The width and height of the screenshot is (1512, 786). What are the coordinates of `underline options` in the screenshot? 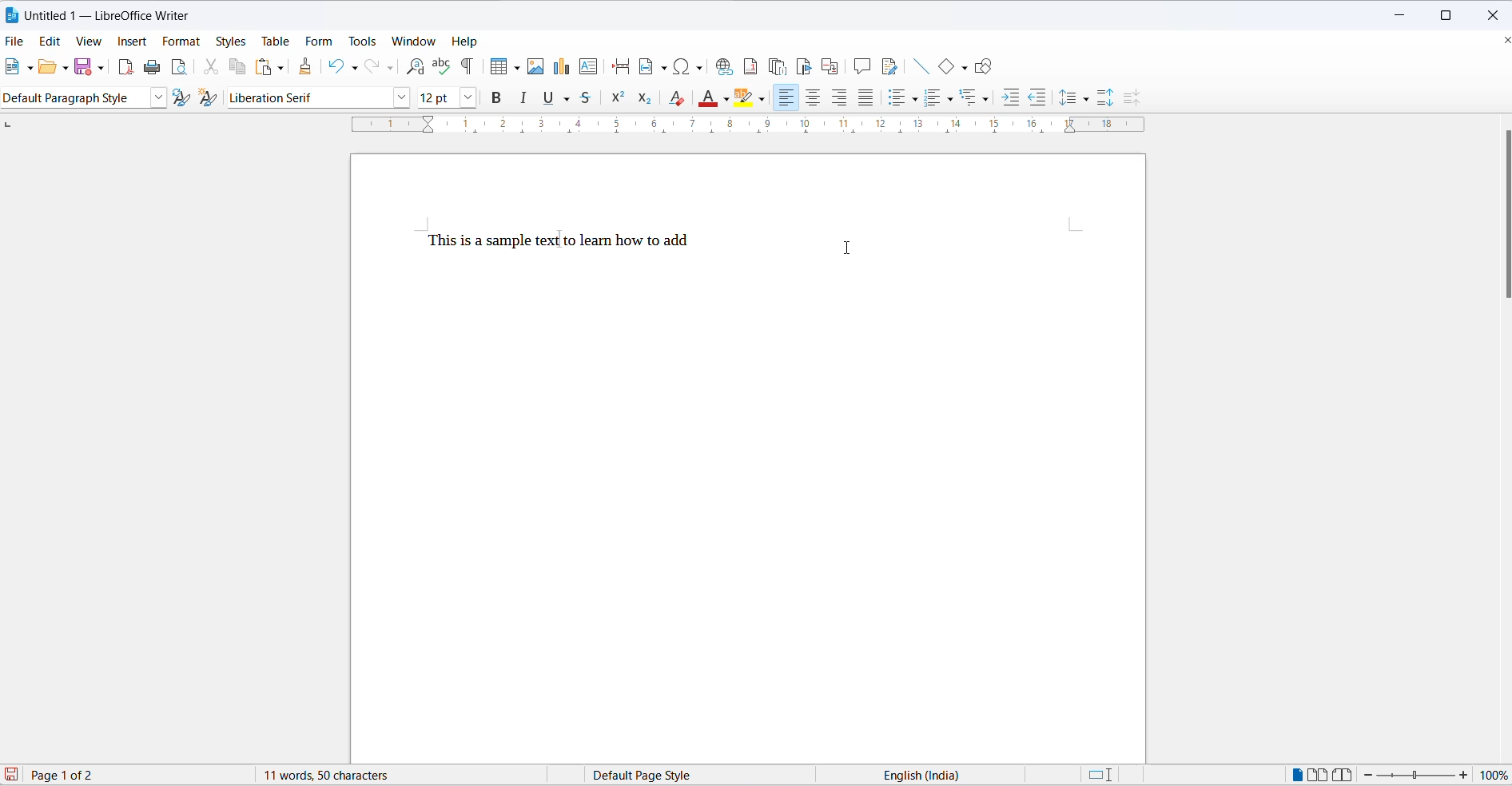 It's located at (571, 99).